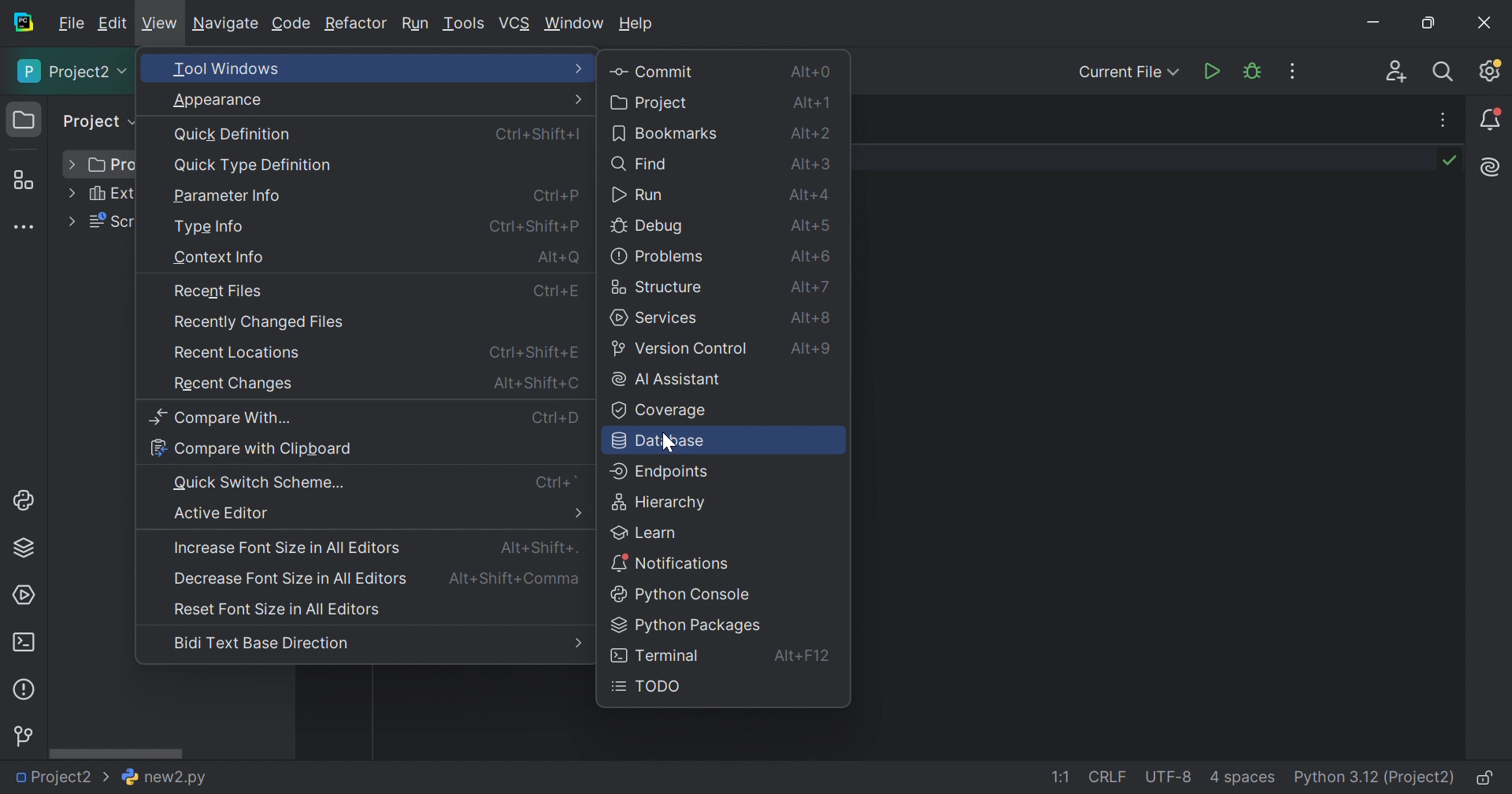 The width and height of the screenshot is (1512, 794). What do you see at coordinates (806, 658) in the screenshot?
I see `Alt+F12` at bounding box center [806, 658].